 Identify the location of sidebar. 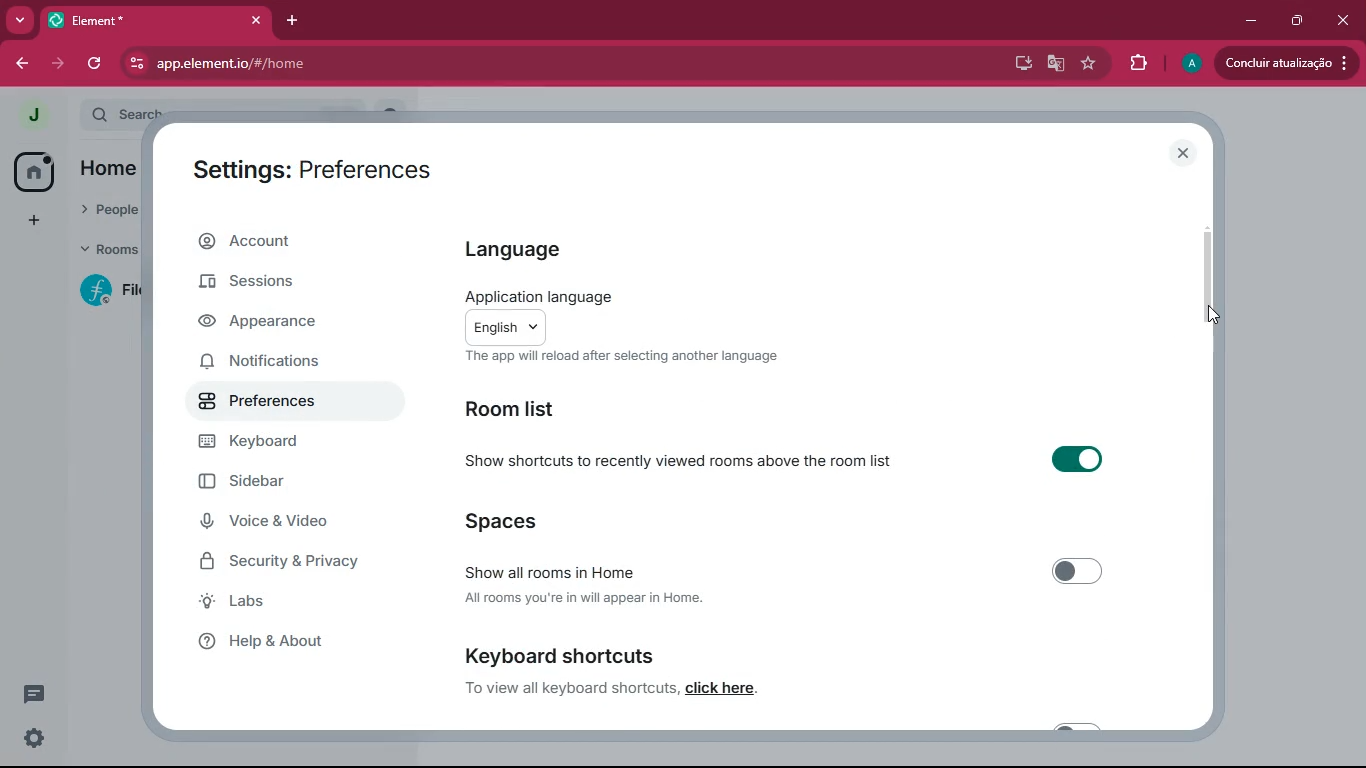
(278, 482).